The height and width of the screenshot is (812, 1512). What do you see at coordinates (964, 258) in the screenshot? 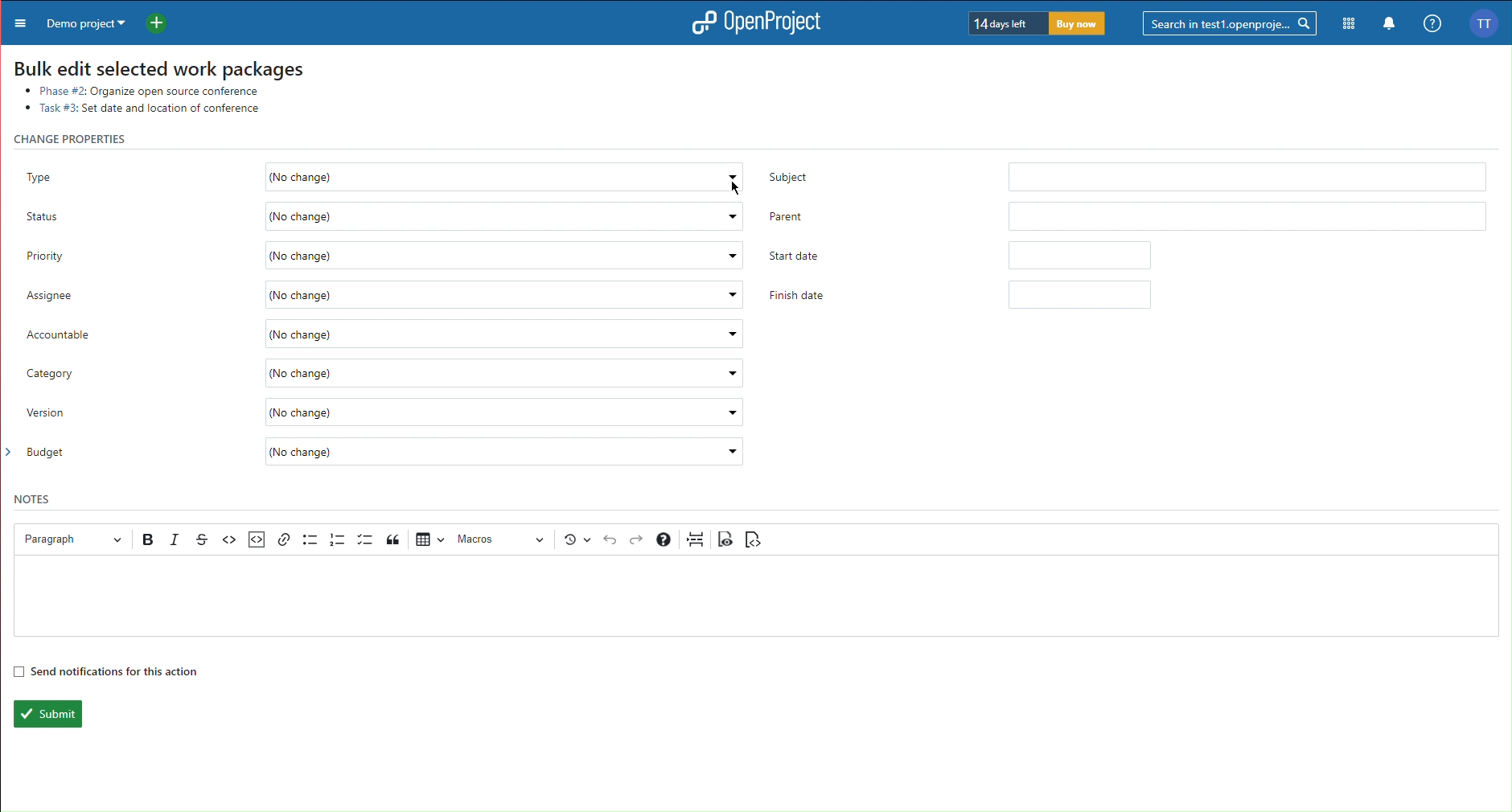
I see `Start date` at bounding box center [964, 258].